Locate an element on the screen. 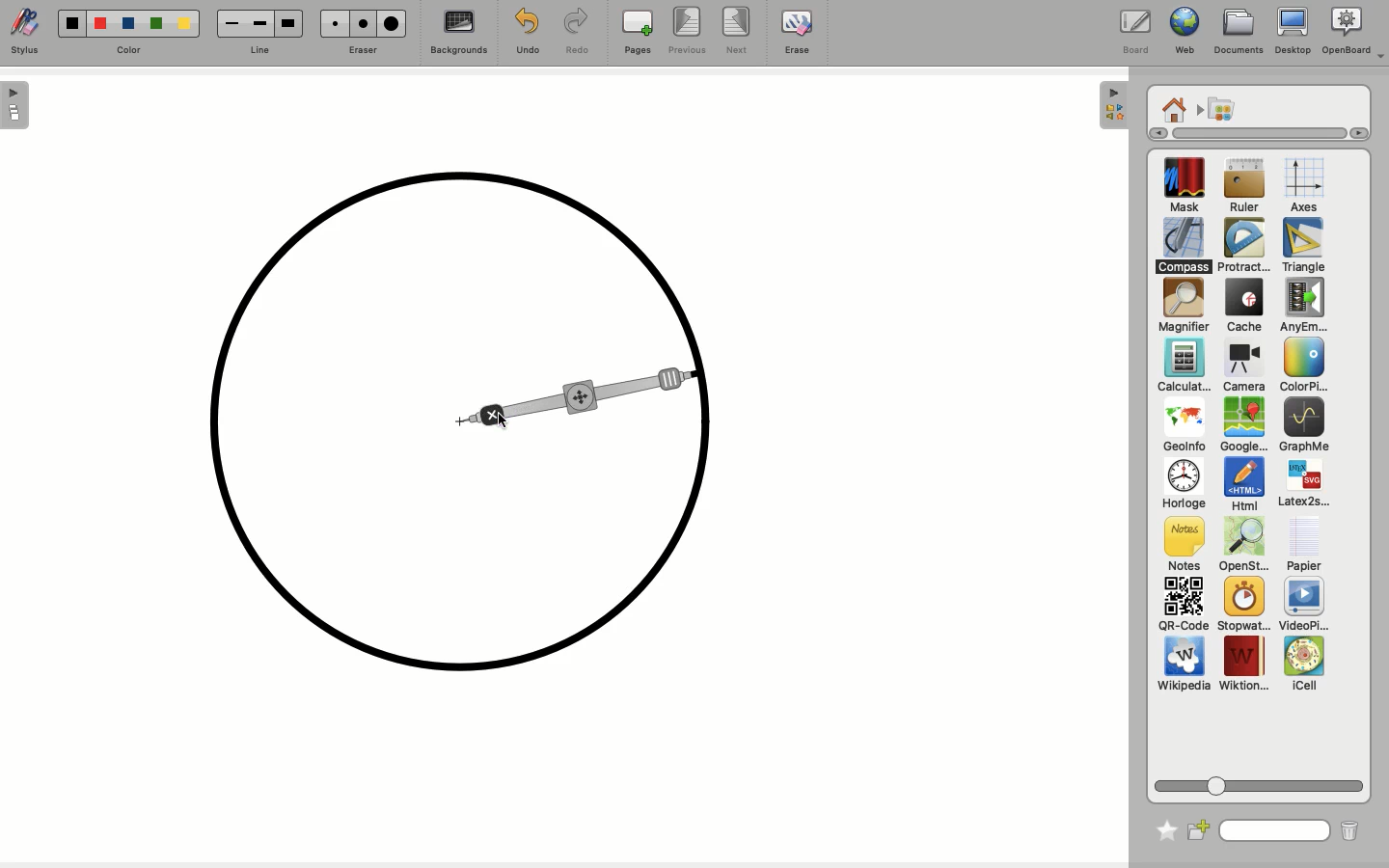 Image resolution: width=1389 pixels, height=868 pixels. Applications is located at coordinates (1221, 110).